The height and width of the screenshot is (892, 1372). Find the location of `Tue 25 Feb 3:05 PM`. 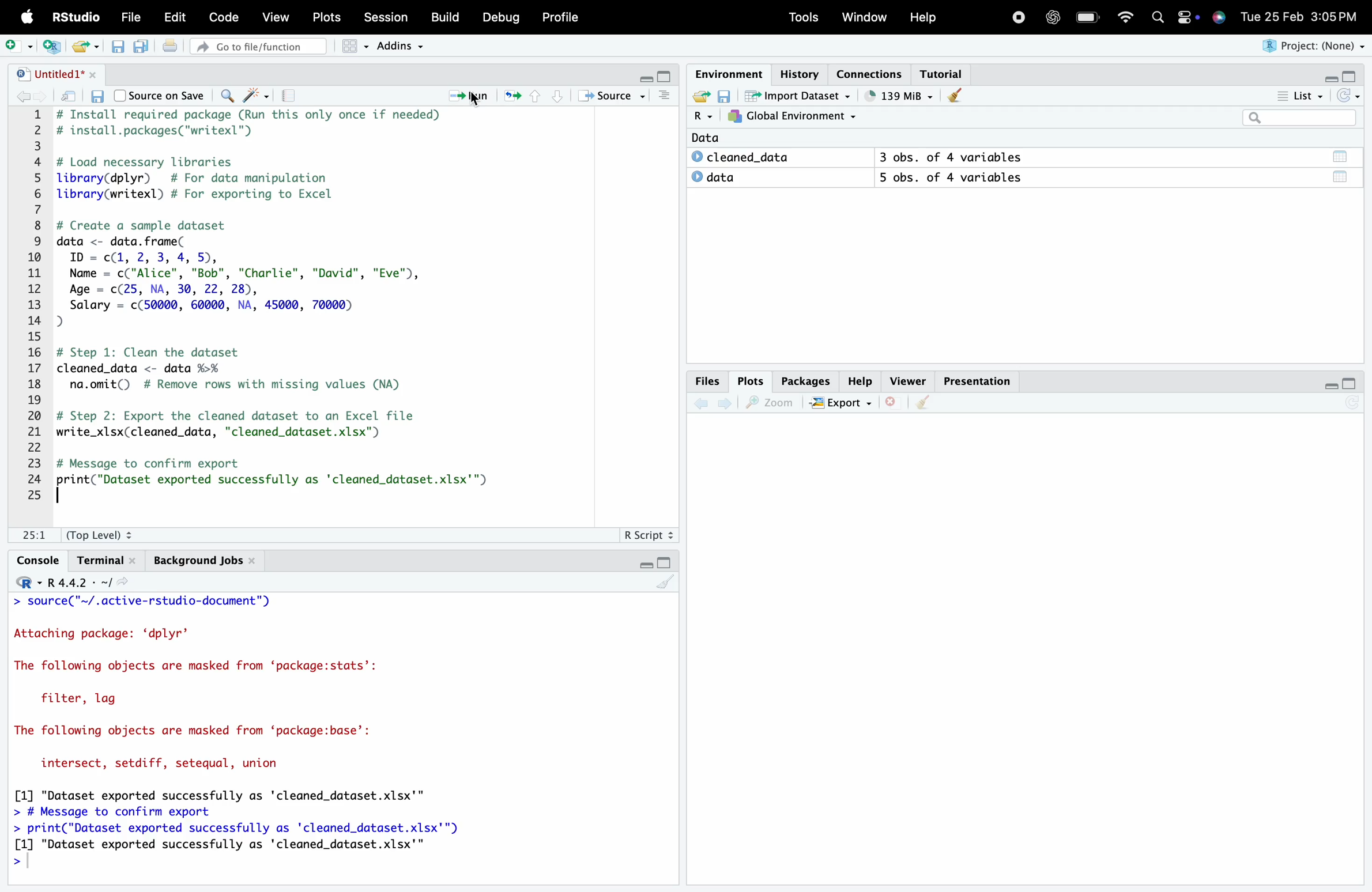

Tue 25 Feb 3:05 PM is located at coordinates (1298, 17).